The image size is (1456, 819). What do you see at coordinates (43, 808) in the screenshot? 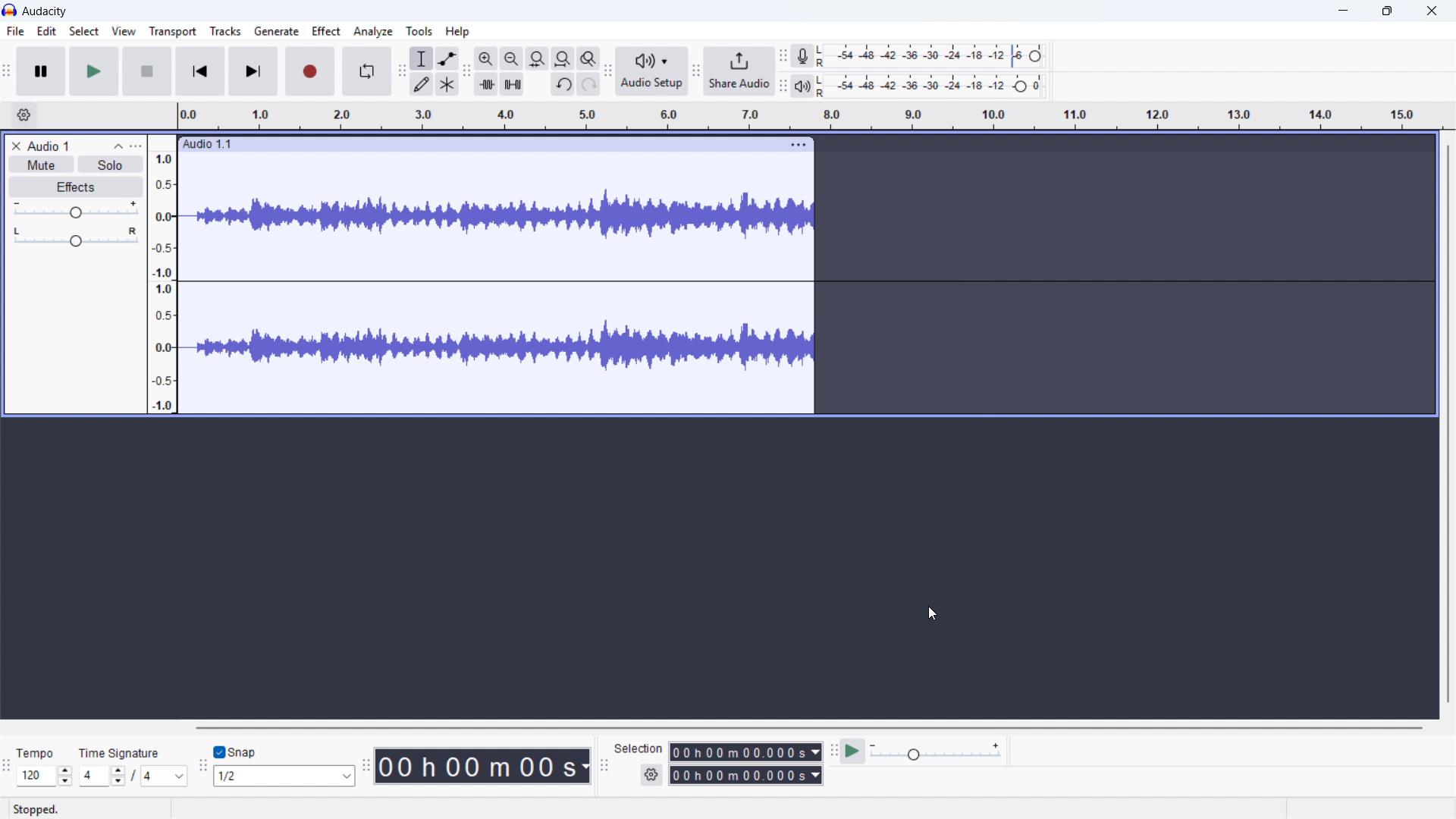
I see `stopped` at bounding box center [43, 808].